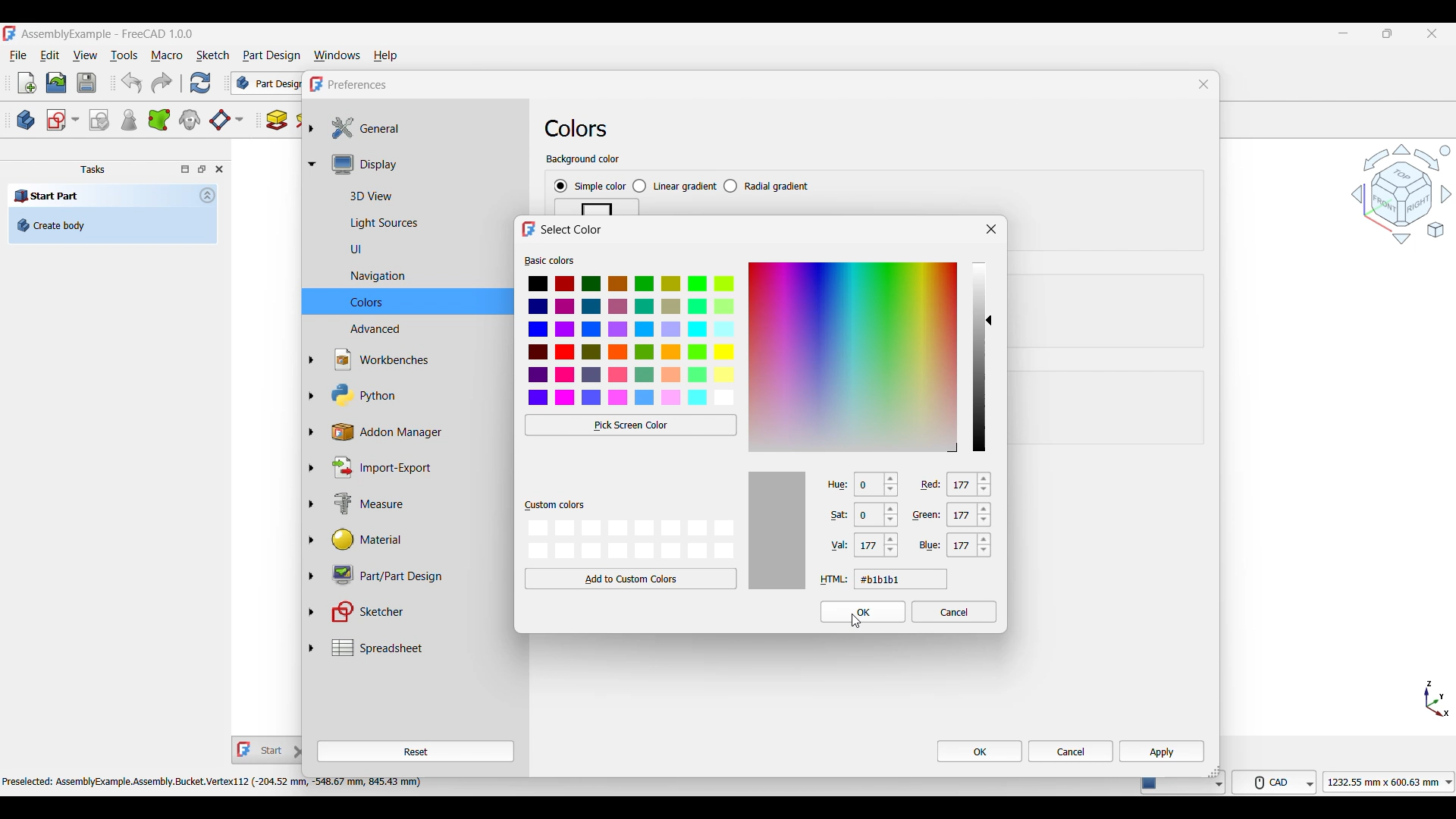  Describe the element at coordinates (9, 33) in the screenshot. I see `Software logo` at that location.